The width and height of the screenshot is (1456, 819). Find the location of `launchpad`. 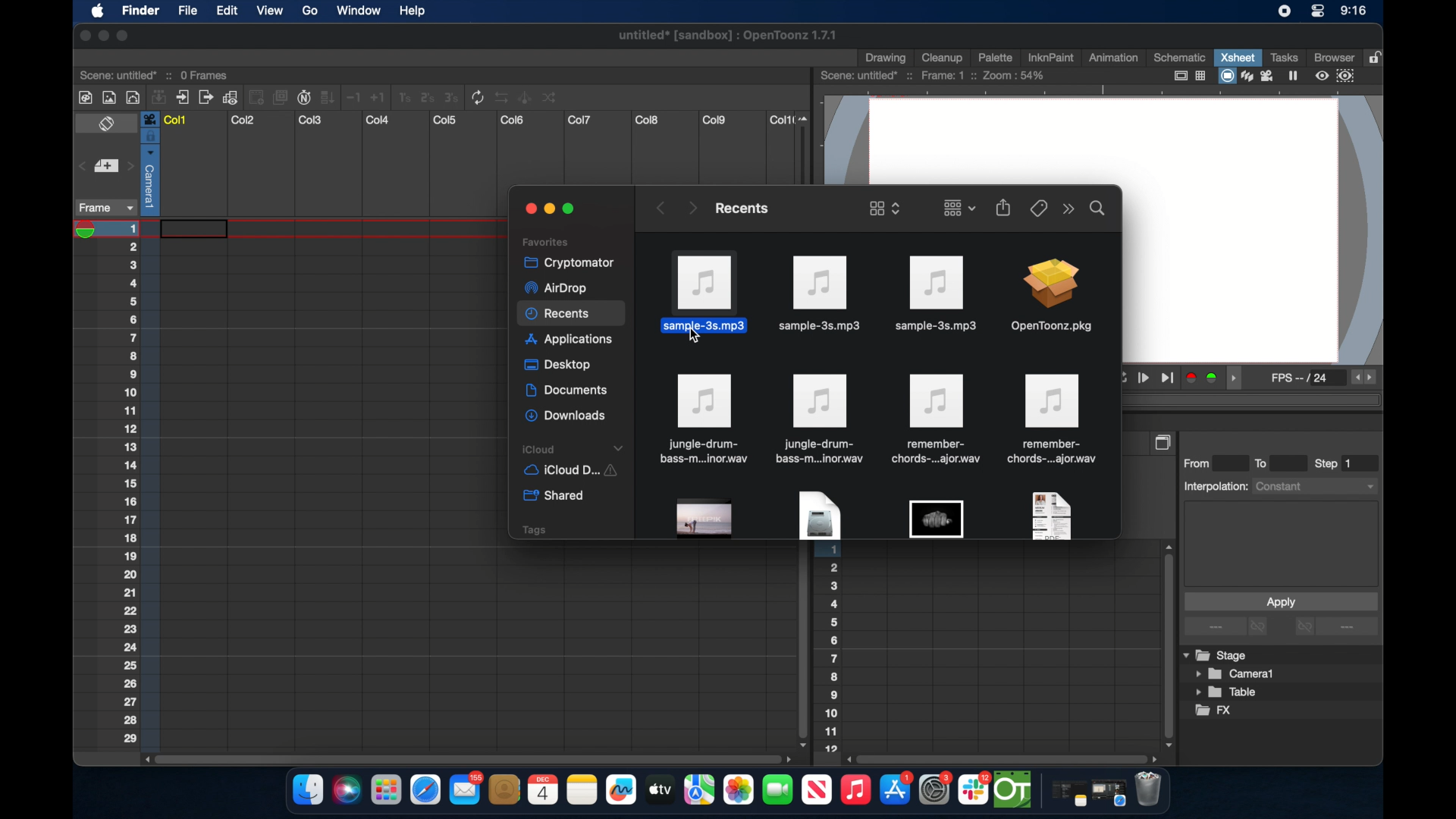

launchpad is located at coordinates (385, 792).